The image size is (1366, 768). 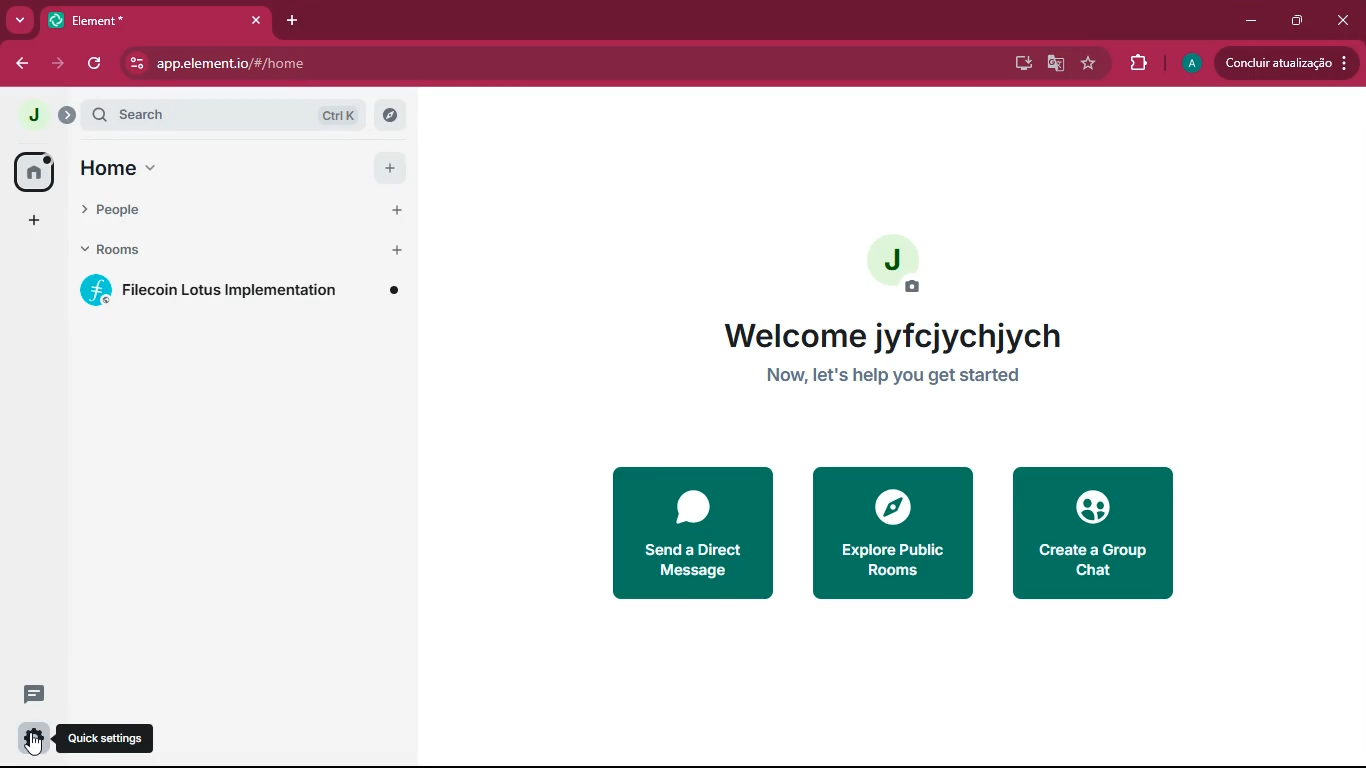 I want to click on Filecoin Lotus Implementation, so click(x=245, y=289).